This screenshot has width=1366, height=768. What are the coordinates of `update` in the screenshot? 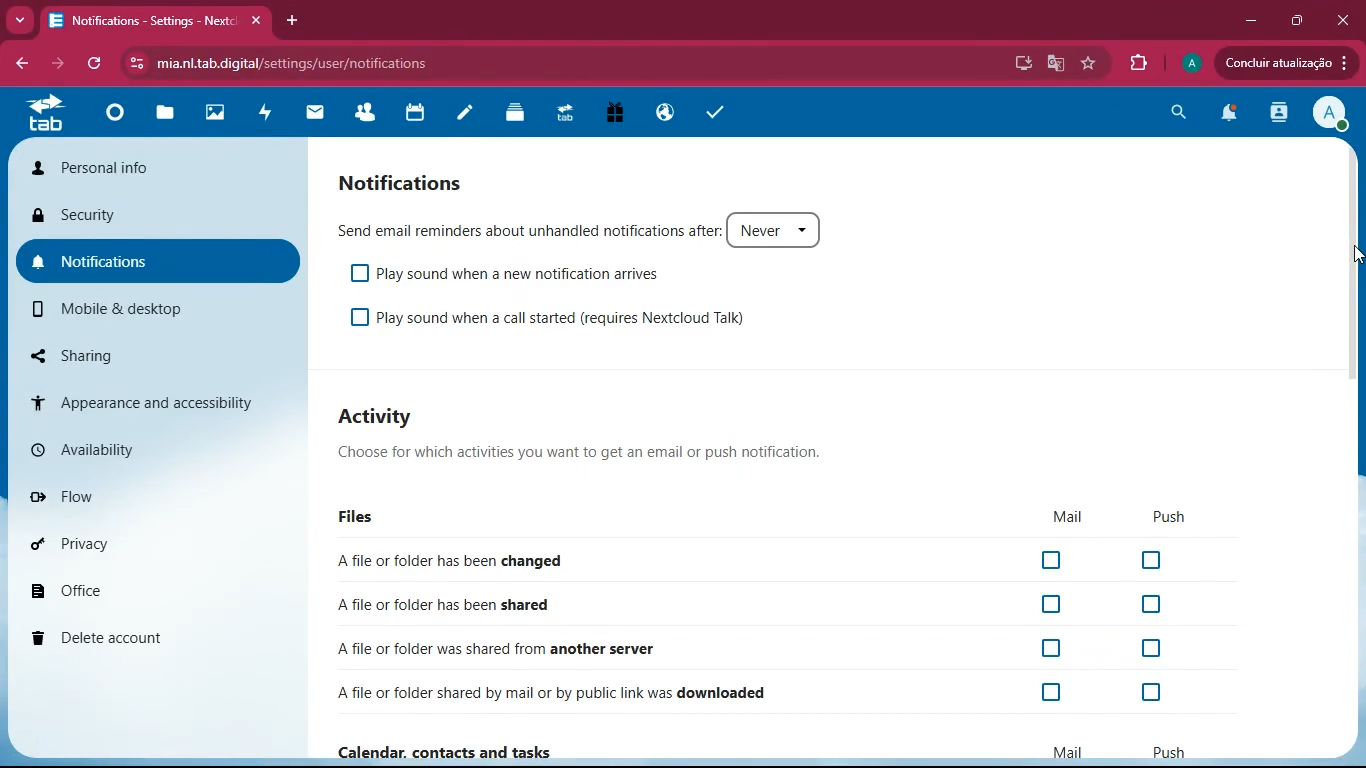 It's located at (1284, 63).